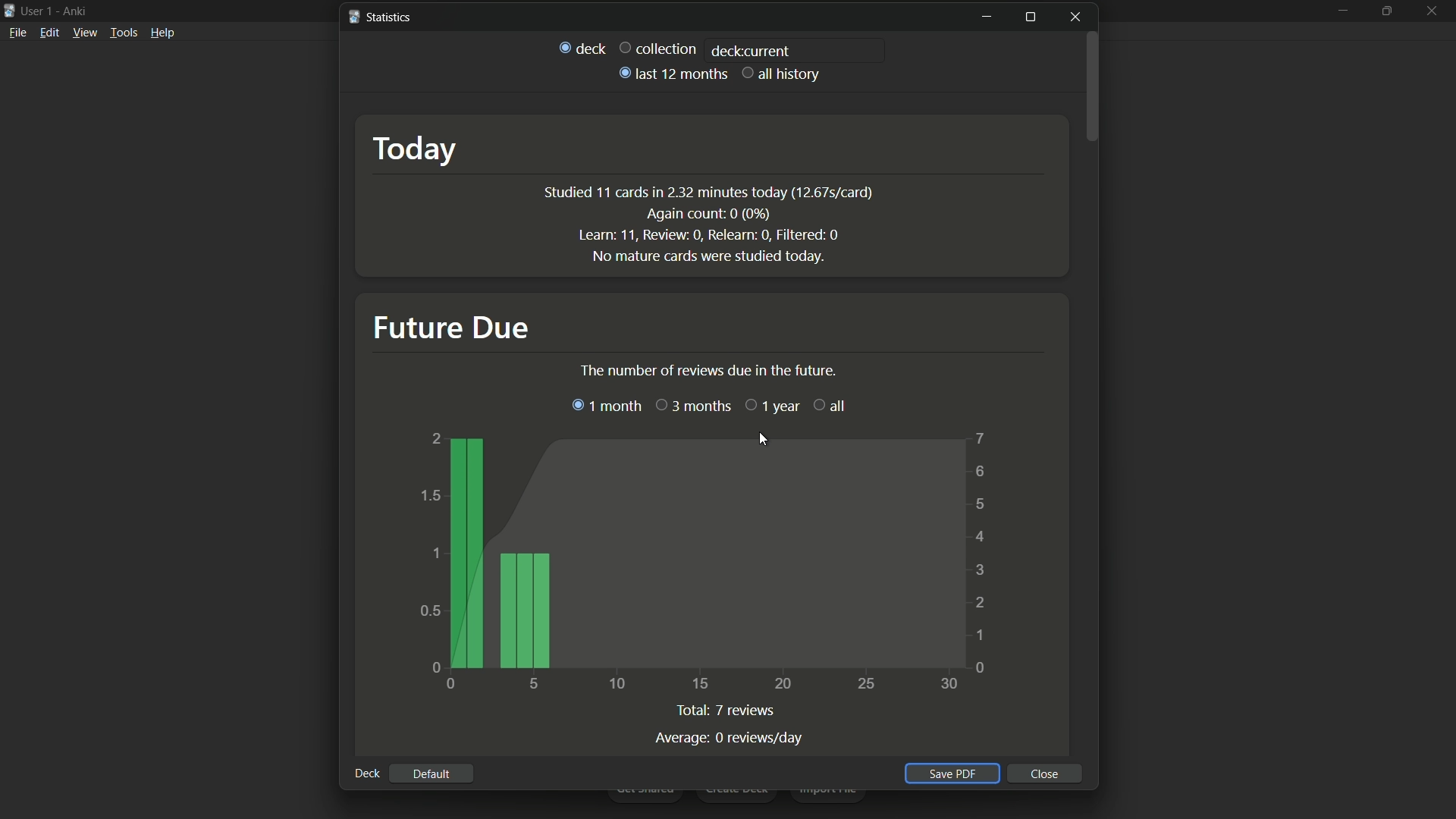  What do you see at coordinates (124, 32) in the screenshot?
I see `tools menu` at bounding box center [124, 32].